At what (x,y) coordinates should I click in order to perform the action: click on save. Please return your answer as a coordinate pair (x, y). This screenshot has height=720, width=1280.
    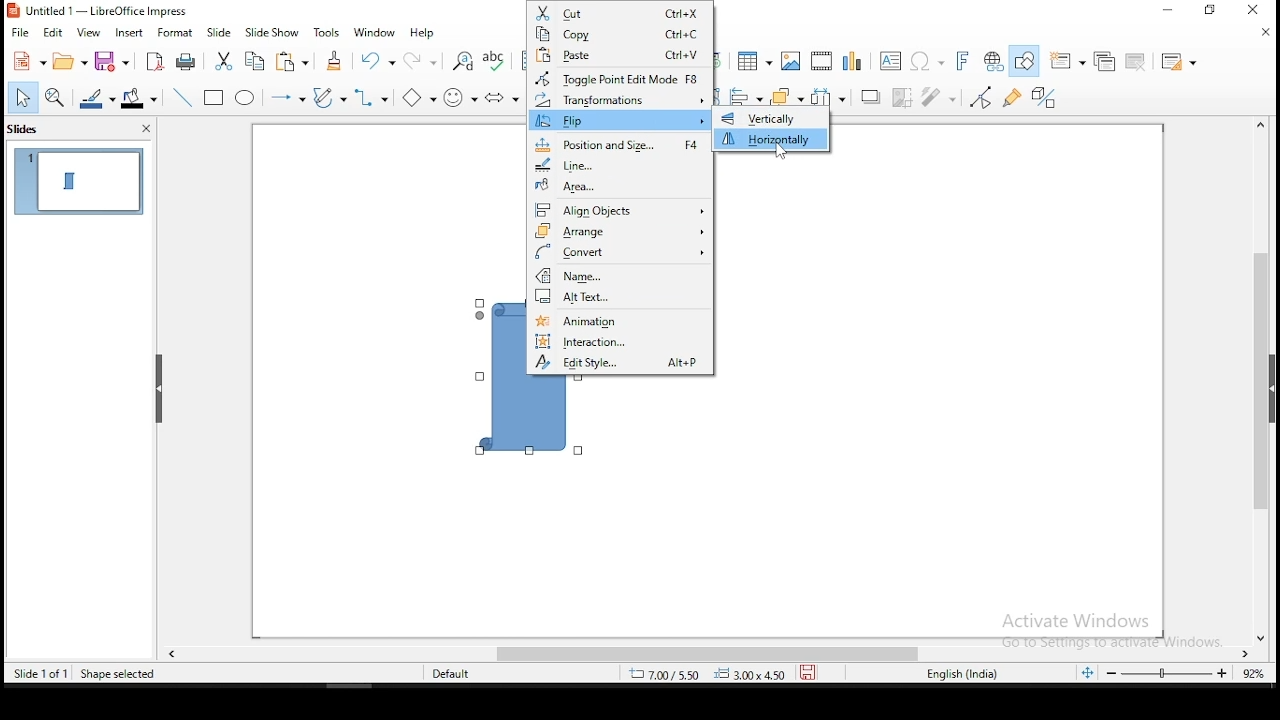
    Looking at the image, I should click on (111, 62).